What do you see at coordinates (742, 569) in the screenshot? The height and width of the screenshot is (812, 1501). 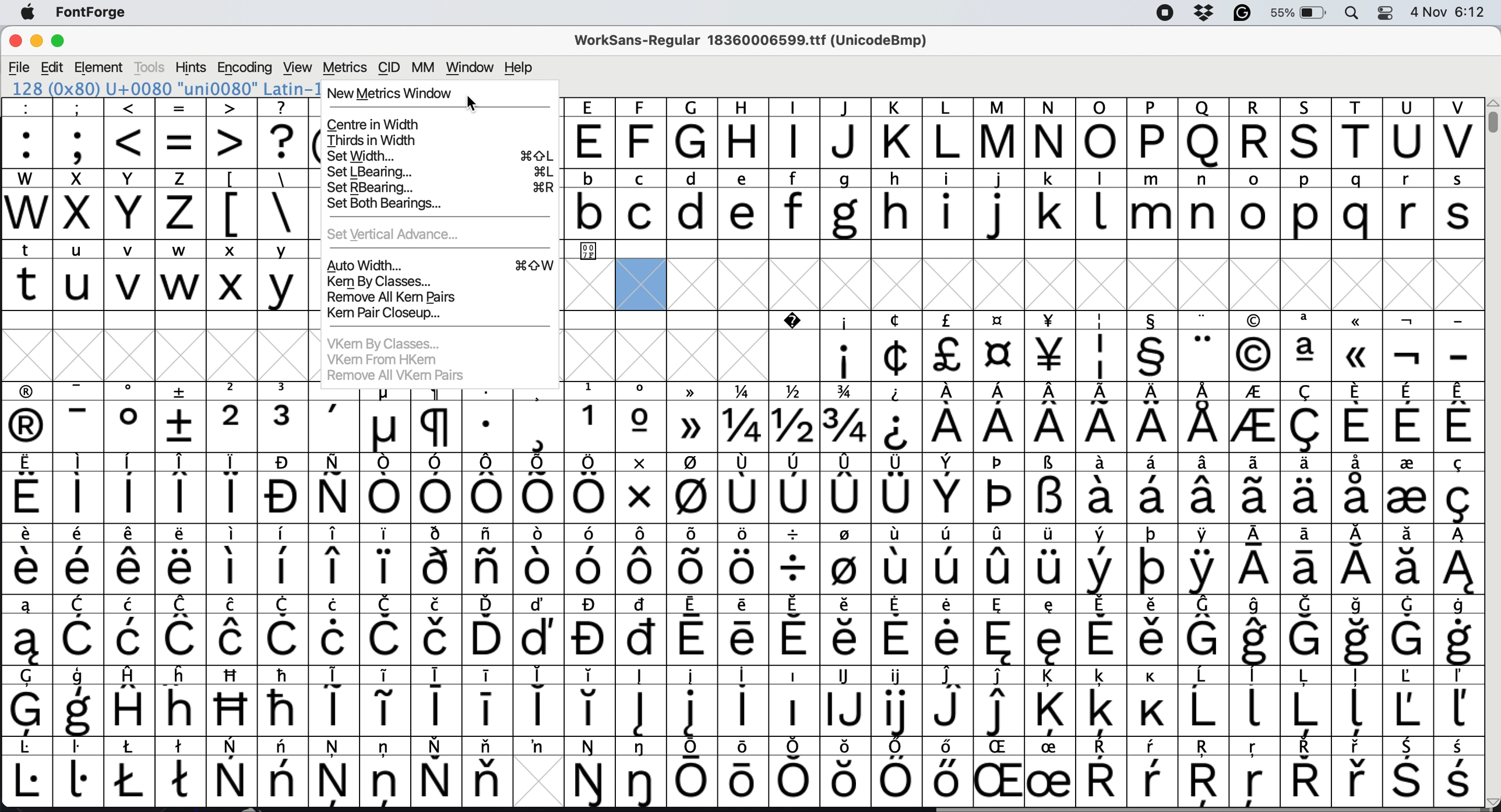 I see `special characters` at bounding box center [742, 569].